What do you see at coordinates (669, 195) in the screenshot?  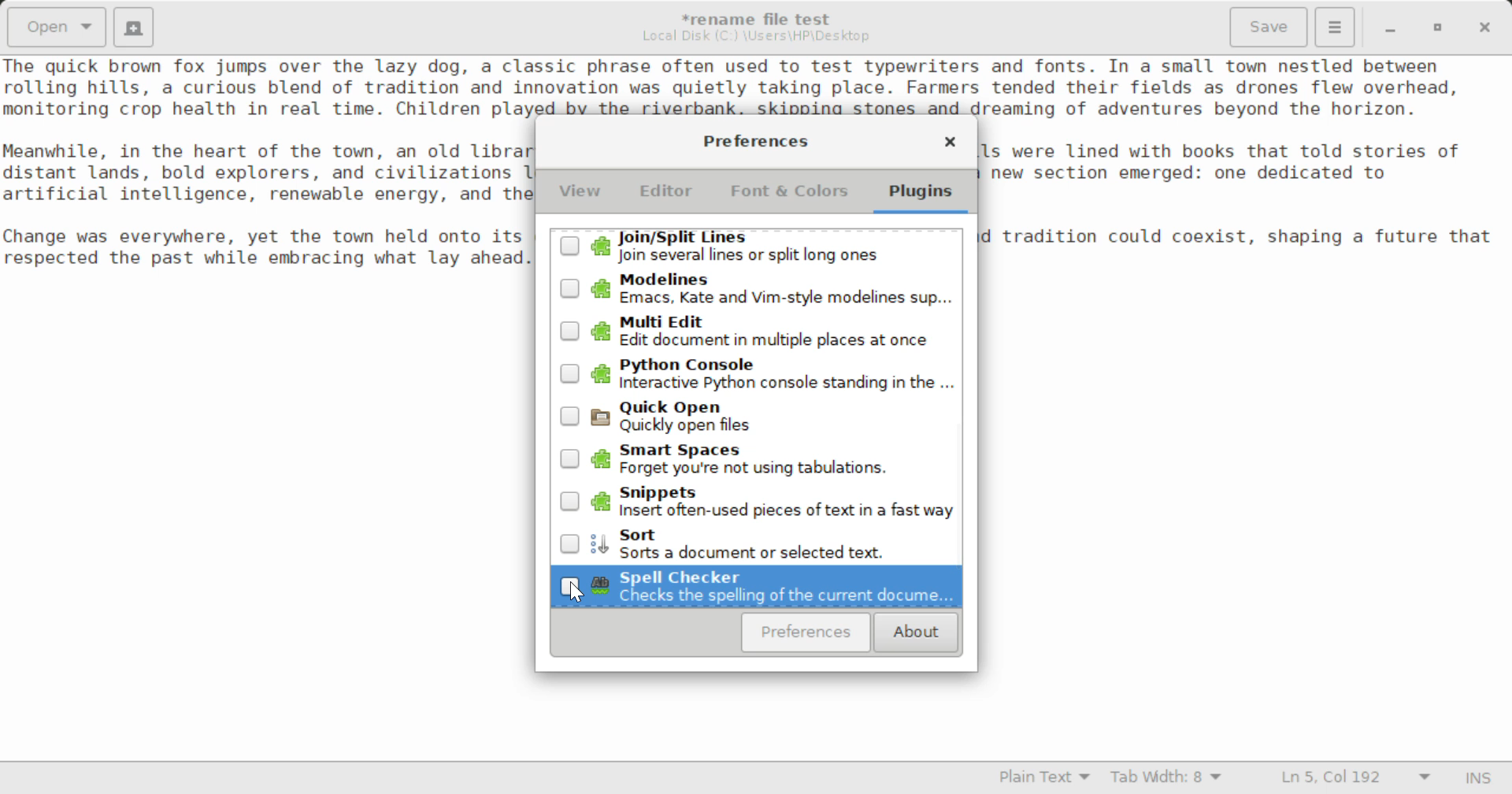 I see `Editor Tab` at bounding box center [669, 195].